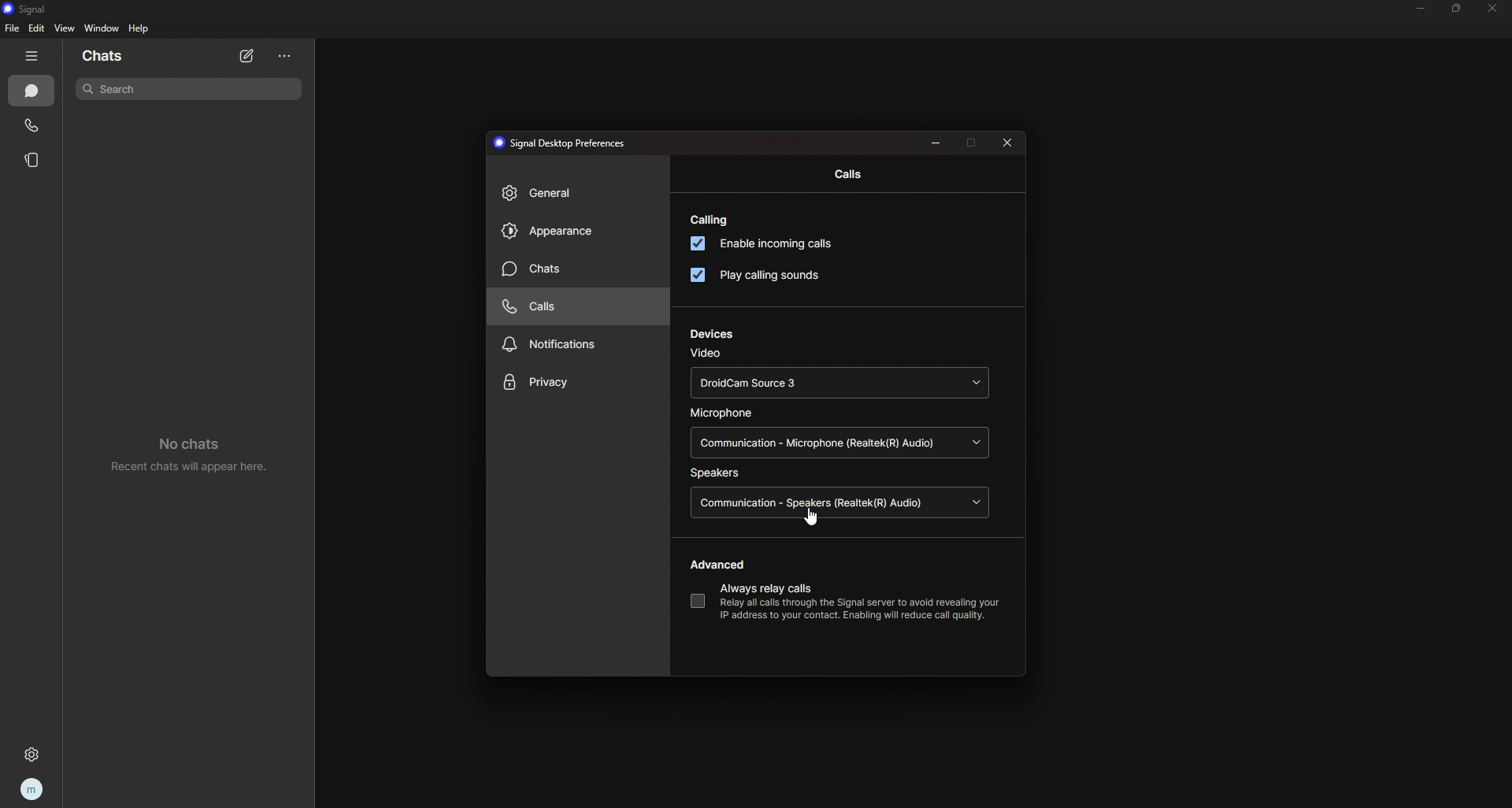  Describe the element at coordinates (102, 28) in the screenshot. I see `window` at that location.